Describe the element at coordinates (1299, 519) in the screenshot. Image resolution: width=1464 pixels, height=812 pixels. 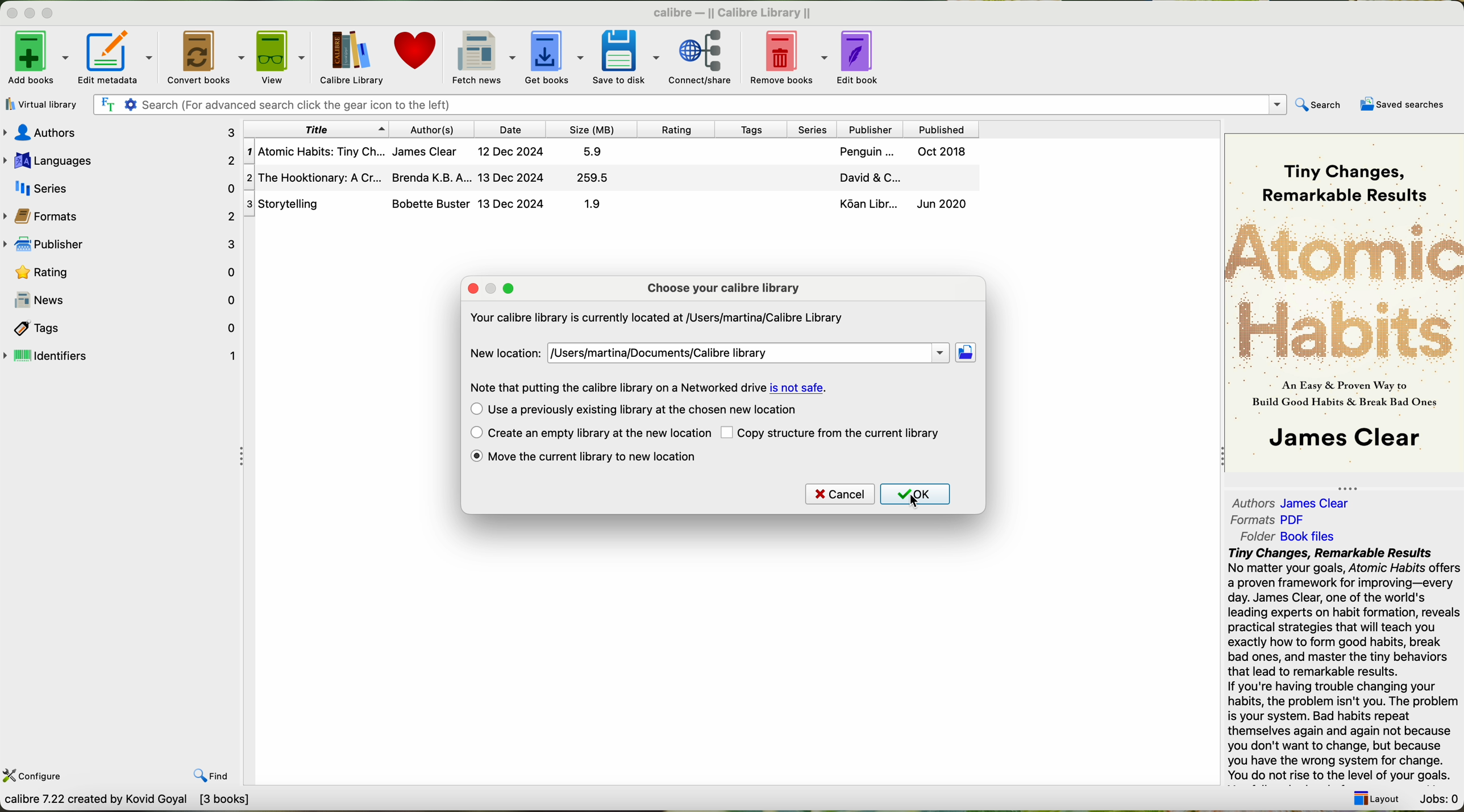
I see `PDF` at that location.